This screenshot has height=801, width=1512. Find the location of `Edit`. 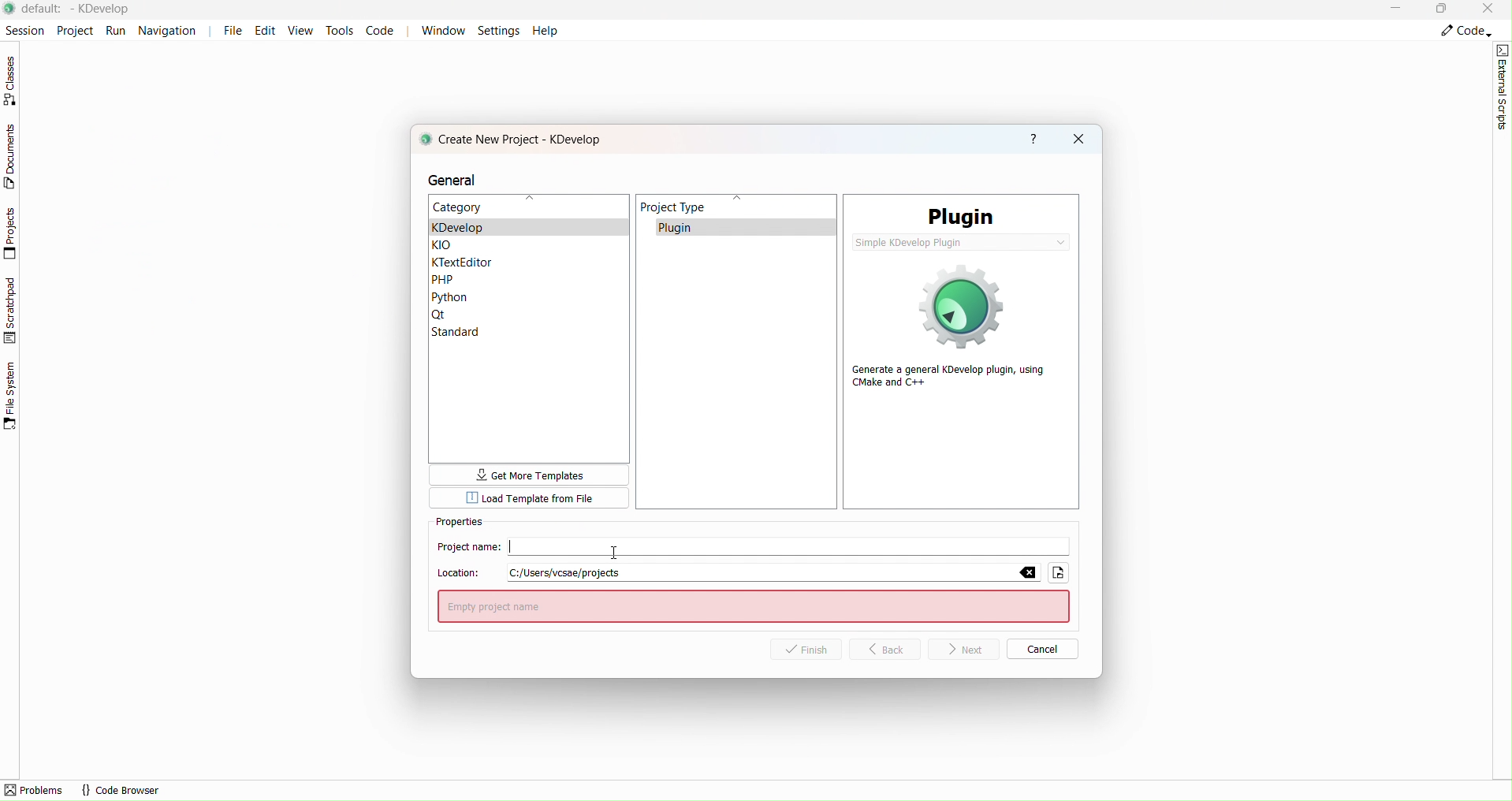

Edit is located at coordinates (269, 31).